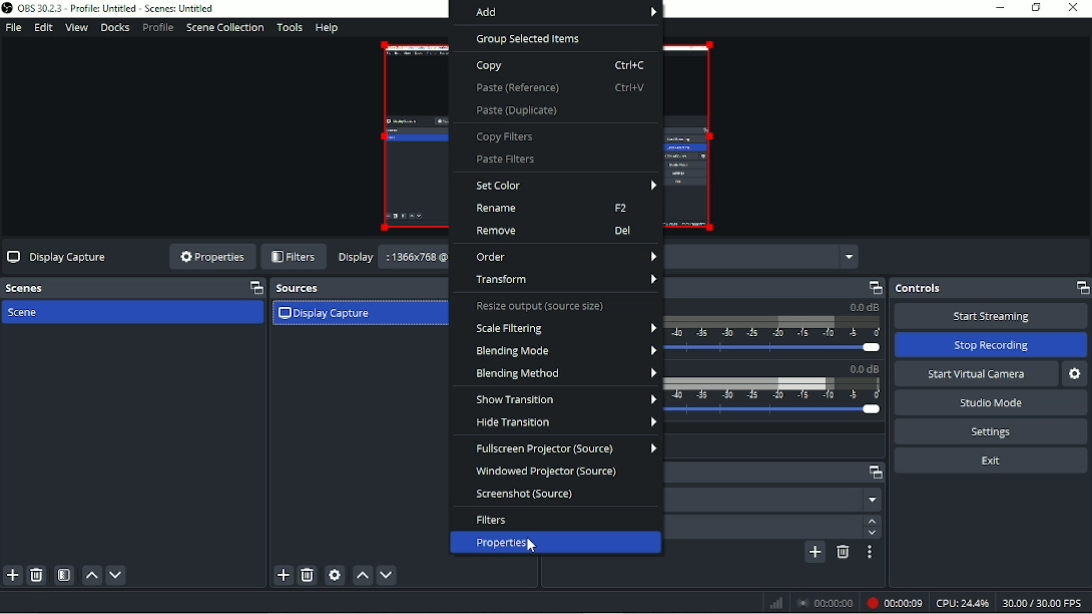  I want to click on OBS 30.2.3 - Profile: Untitled - Scenes: Untitled, so click(113, 9).